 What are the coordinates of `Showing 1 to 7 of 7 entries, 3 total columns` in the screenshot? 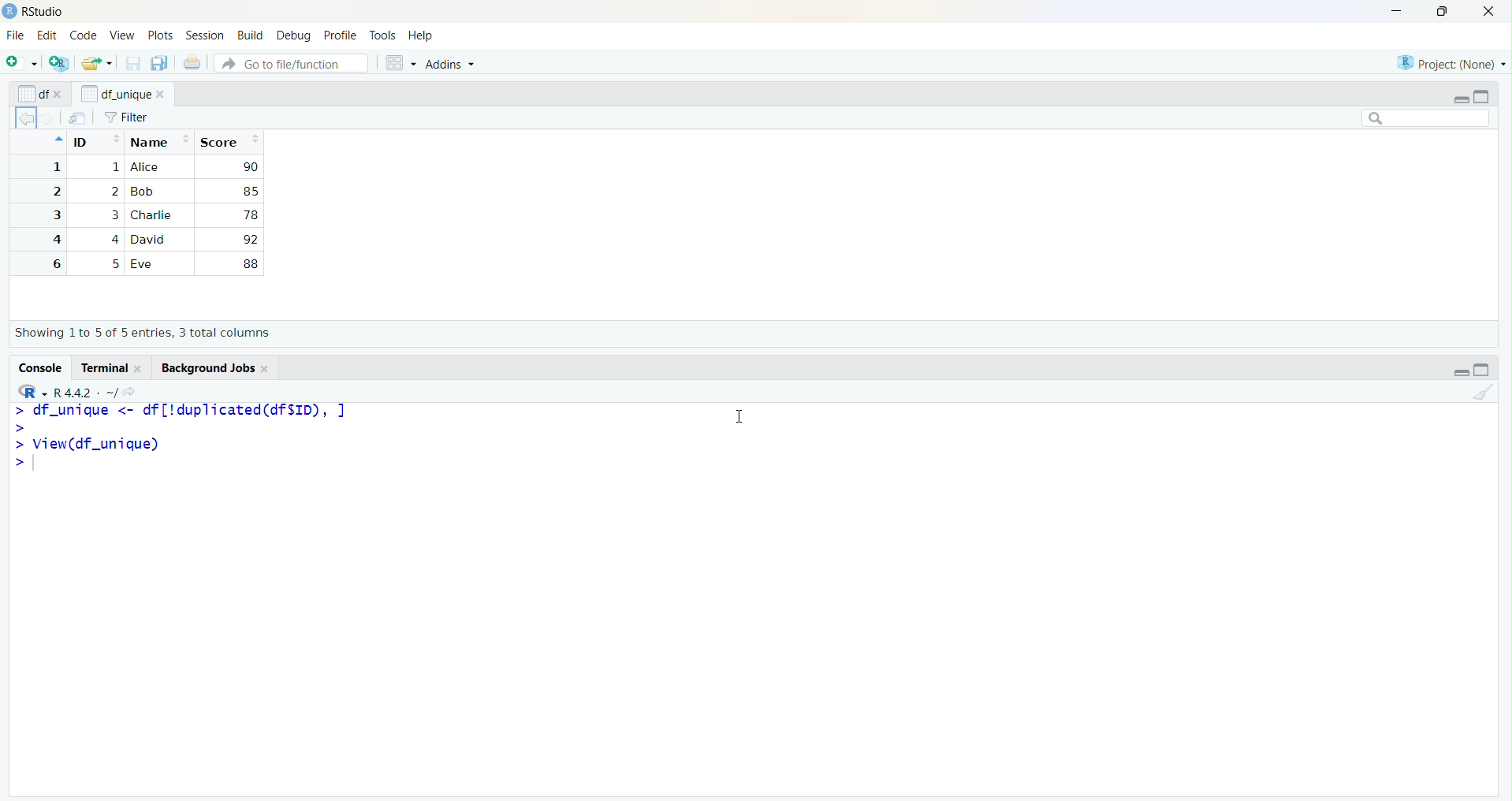 It's located at (143, 333).